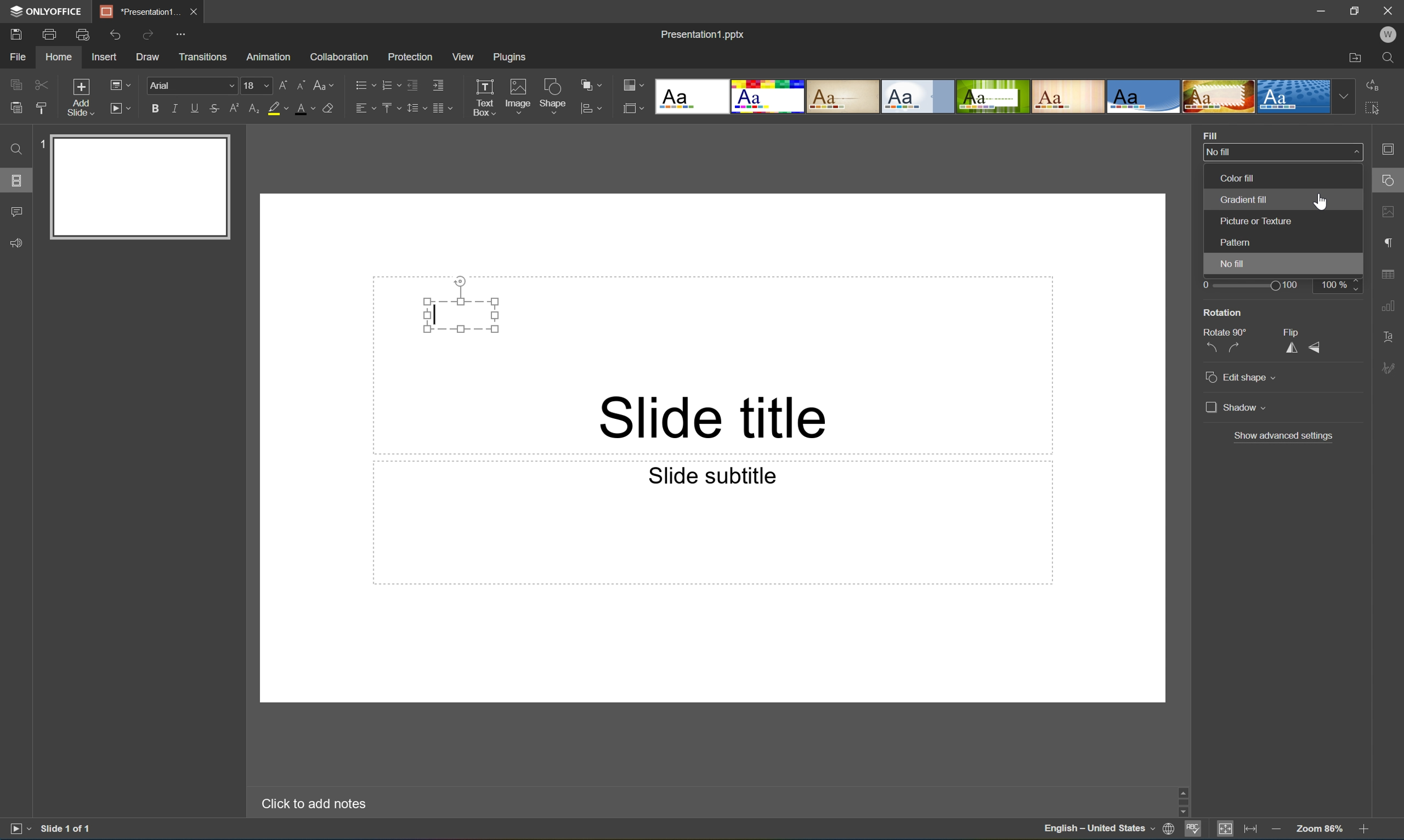 The width and height of the screenshot is (1404, 840). Describe the element at coordinates (1240, 375) in the screenshot. I see `Edit shape` at that location.